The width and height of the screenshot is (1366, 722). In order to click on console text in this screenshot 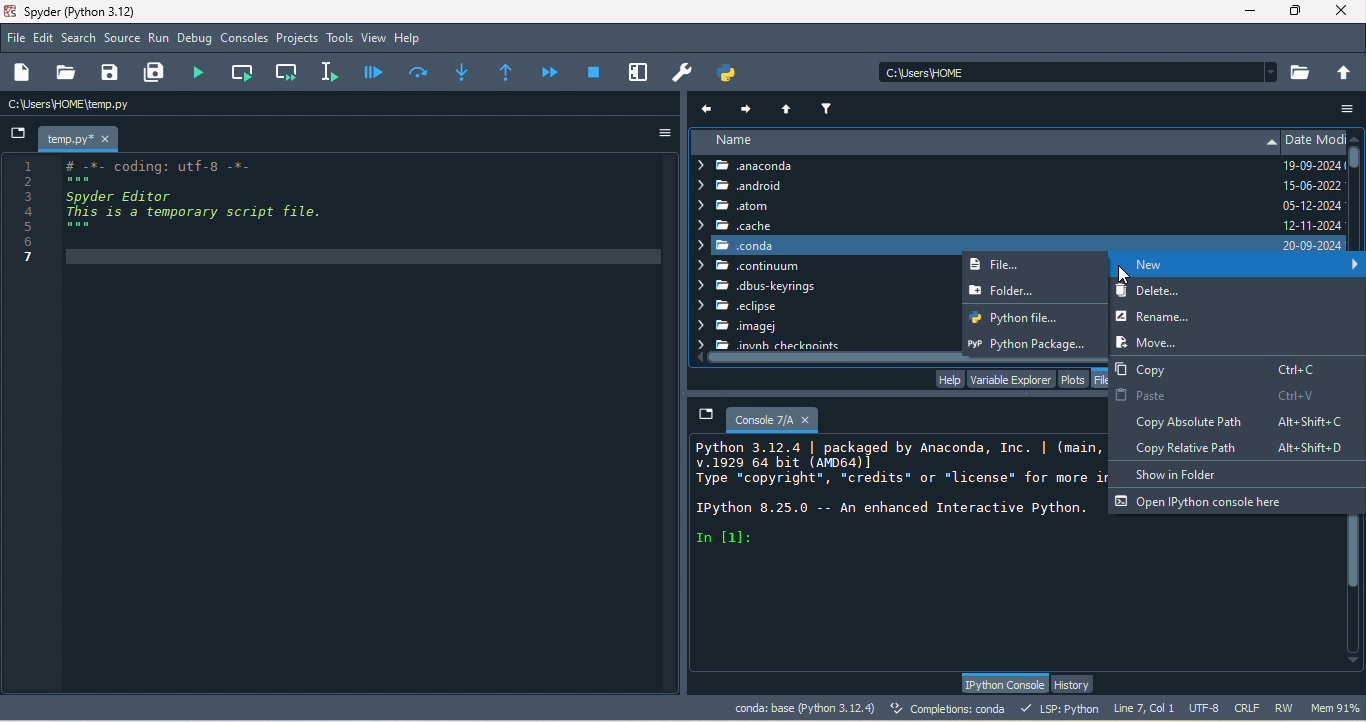, I will do `click(898, 493)`.